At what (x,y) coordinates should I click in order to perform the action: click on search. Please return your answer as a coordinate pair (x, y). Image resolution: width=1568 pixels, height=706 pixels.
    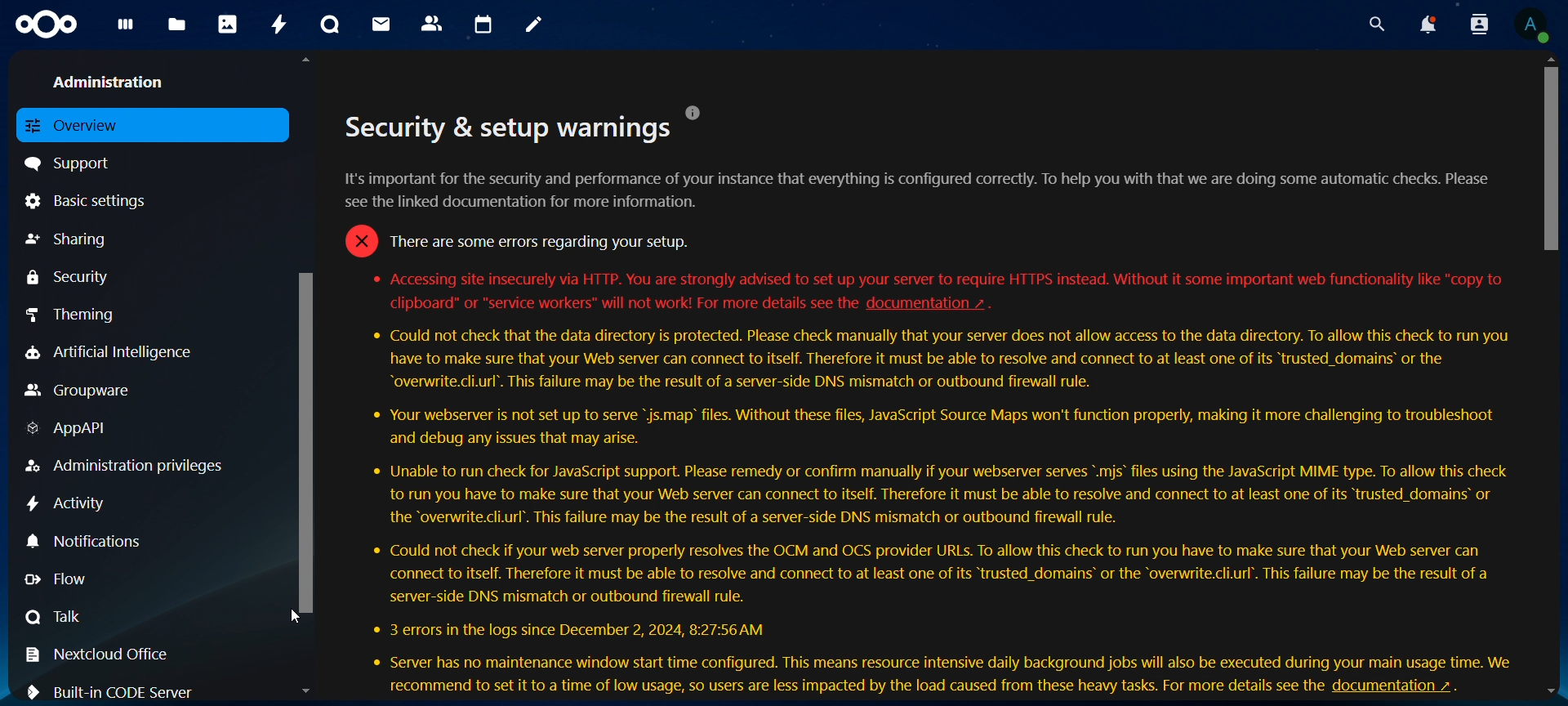
    Looking at the image, I should click on (1373, 25).